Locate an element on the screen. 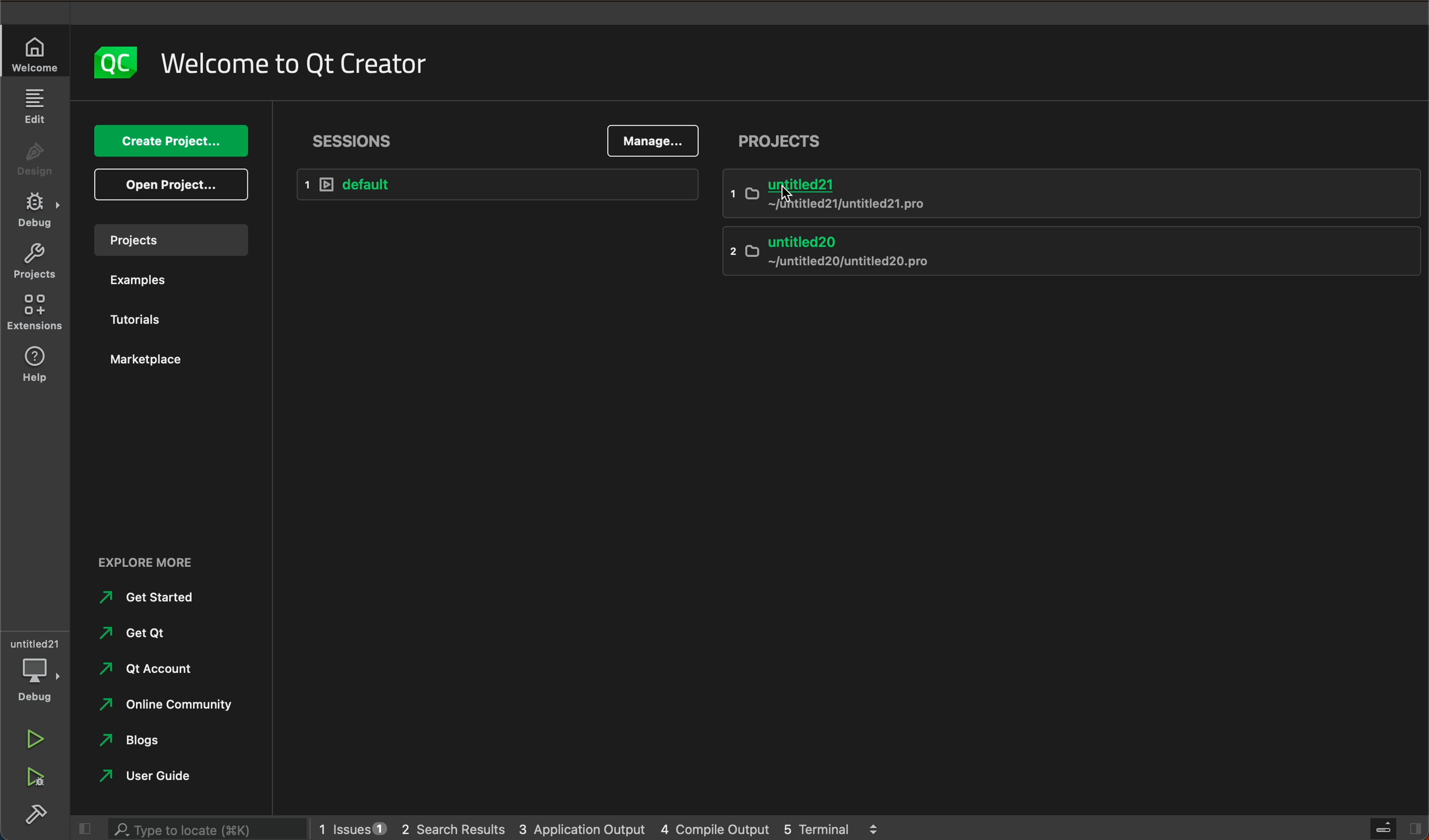 The width and height of the screenshot is (1429, 840). examples is located at coordinates (151, 280).